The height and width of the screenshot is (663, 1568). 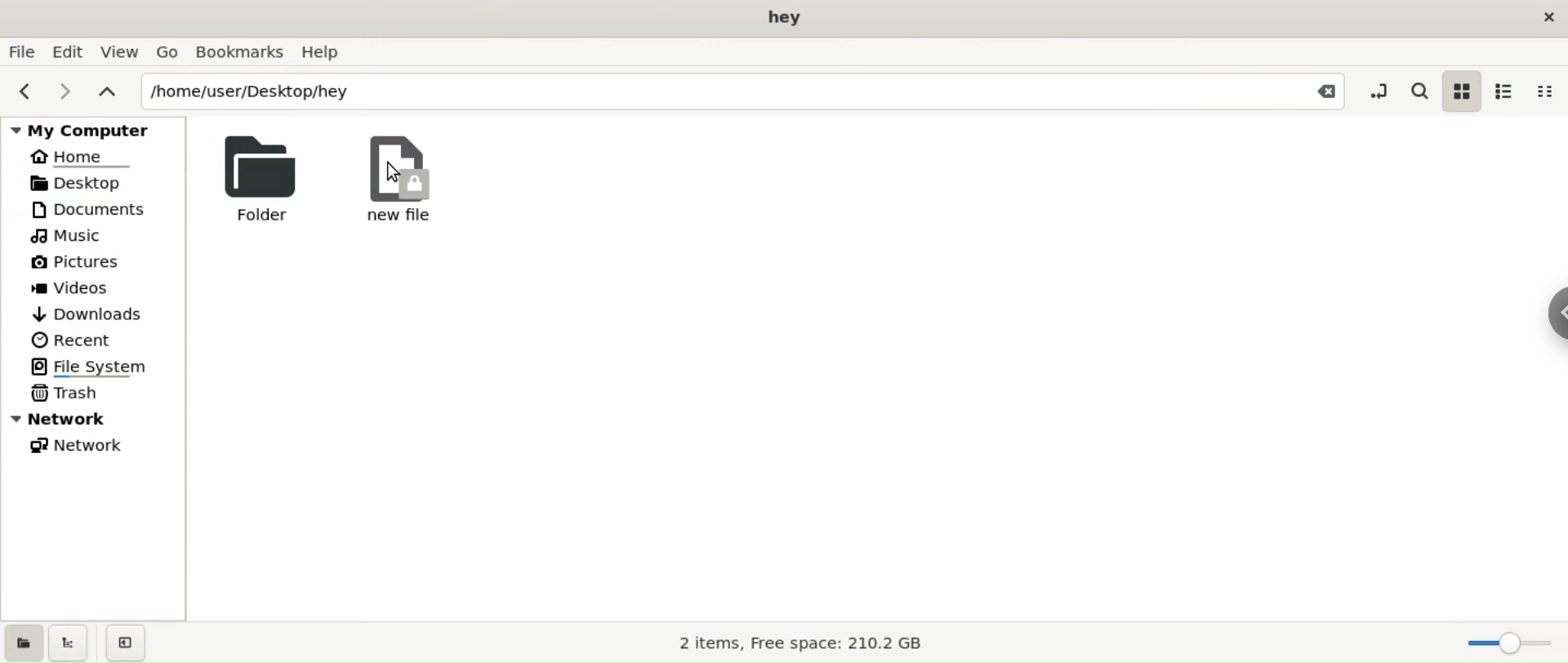 What do you see at coordinates (87, 182) in the screenshot?
I see `Desktop` at bounding box center [87, 182].